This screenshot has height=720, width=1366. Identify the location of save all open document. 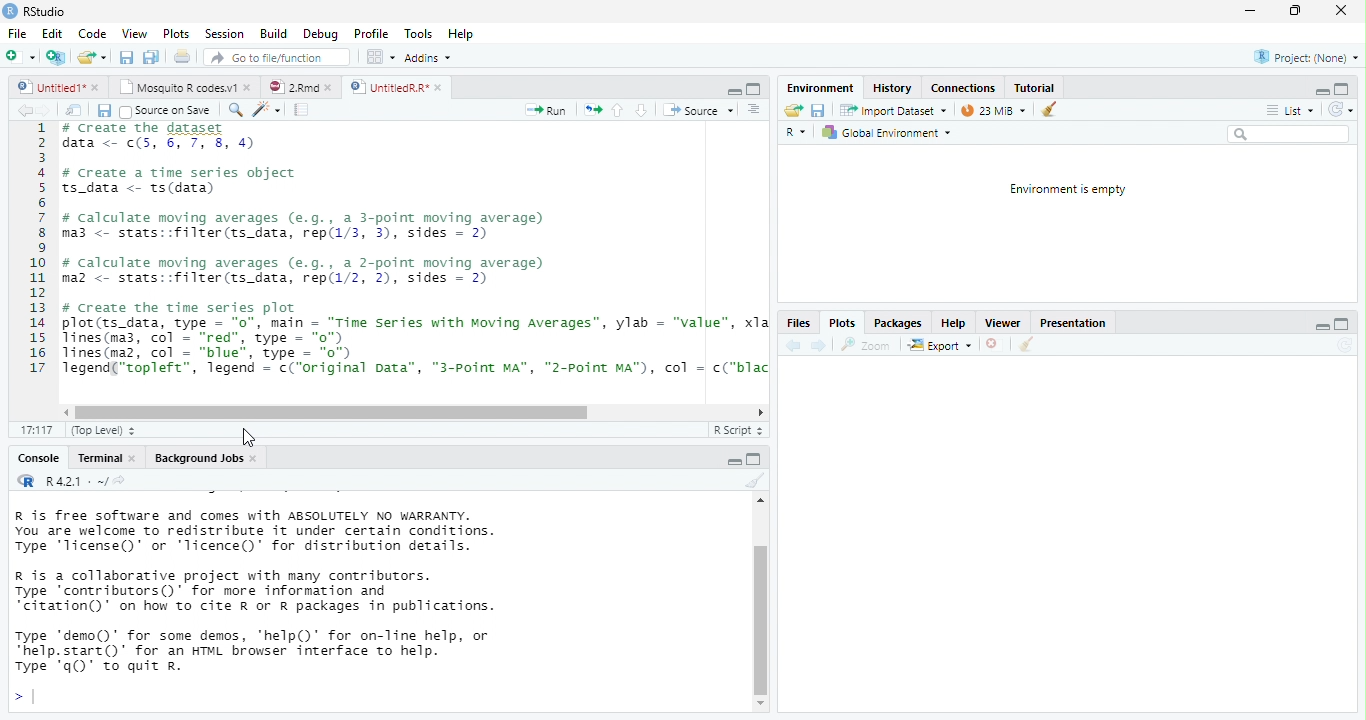
(126, 57).